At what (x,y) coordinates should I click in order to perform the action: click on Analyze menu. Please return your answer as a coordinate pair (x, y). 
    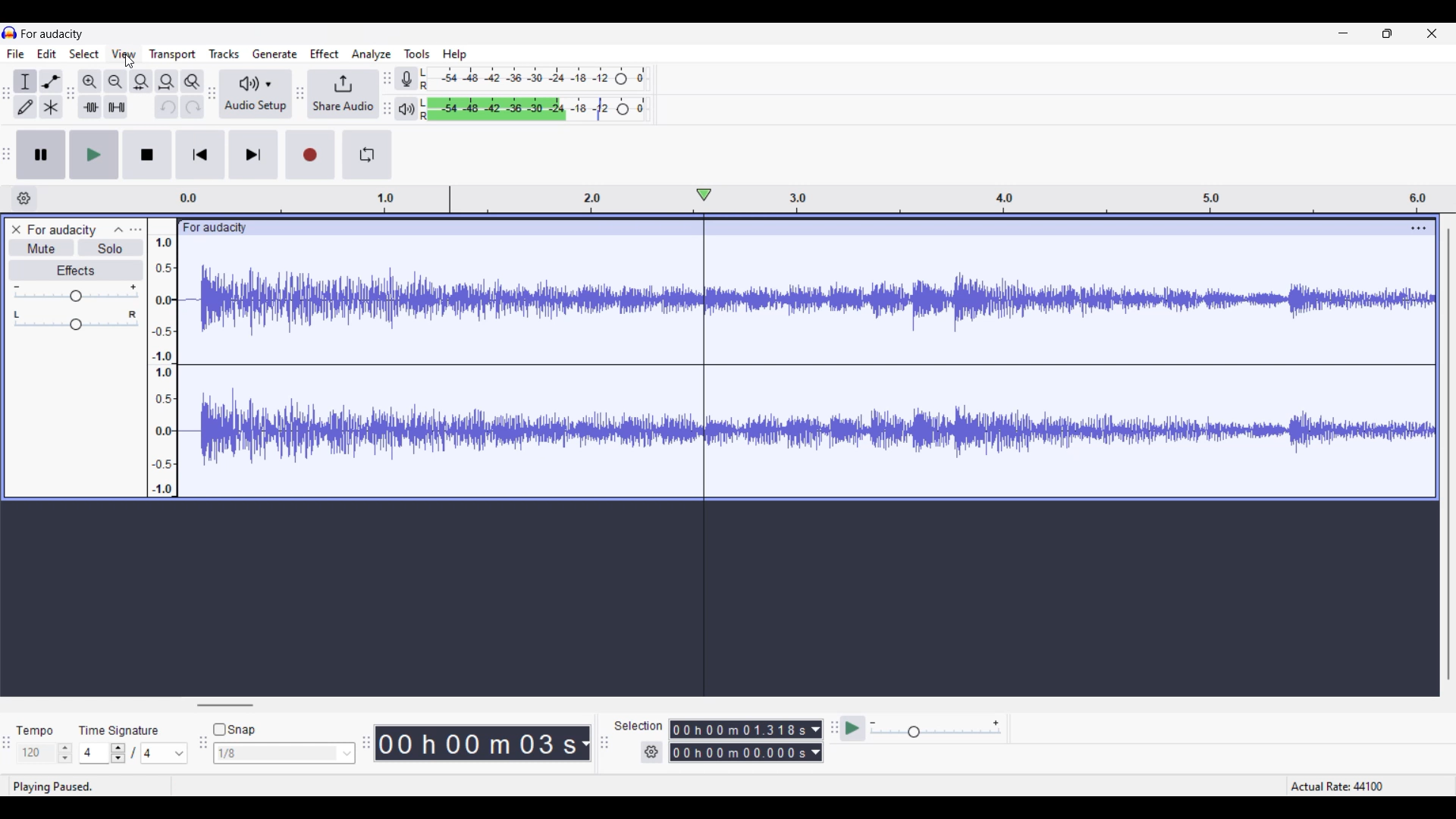
    Looking at the image, I should click on (370, 55).